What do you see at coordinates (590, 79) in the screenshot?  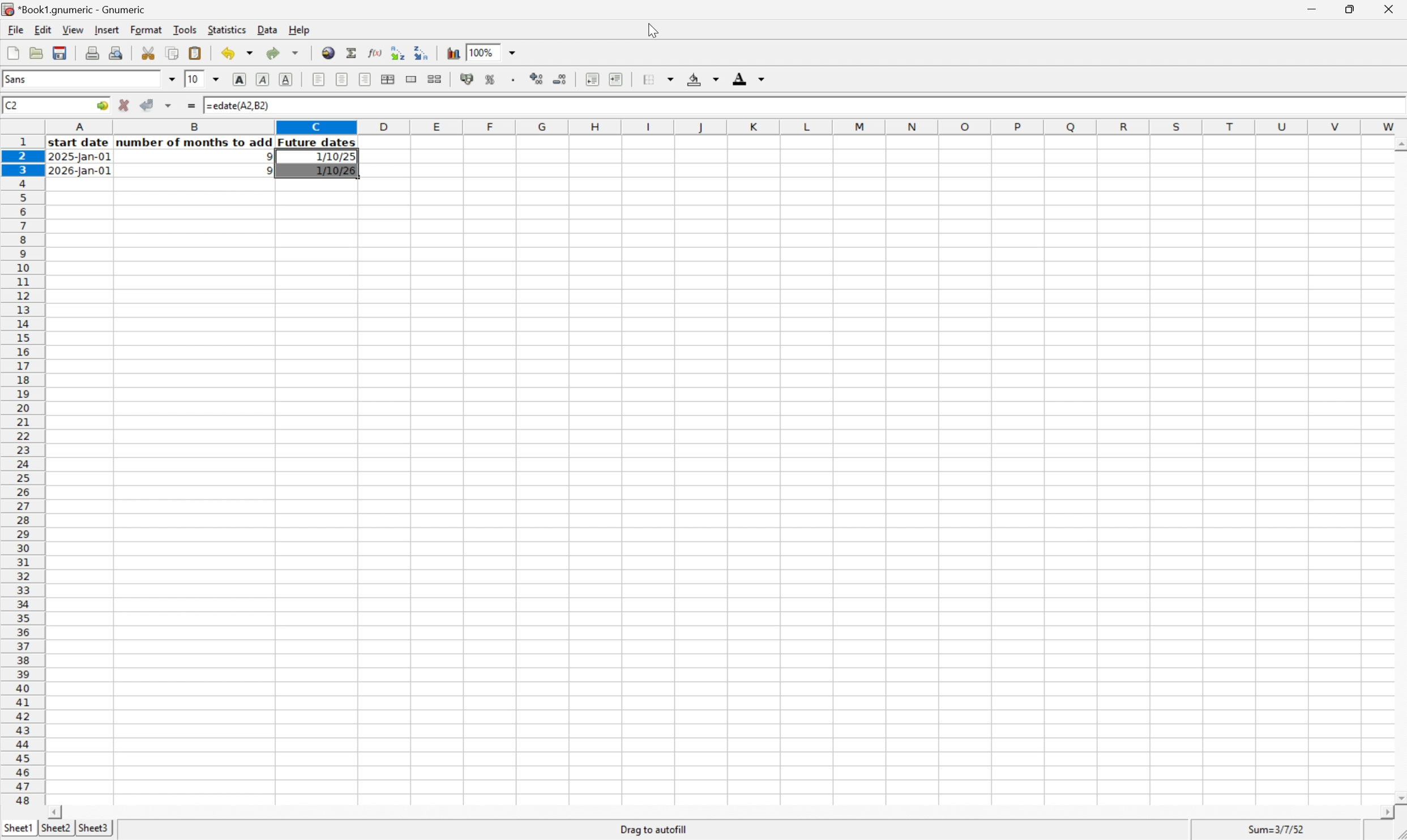 I see `Decrease indent, and align the contents to the left` at bounding box center [590, 79].